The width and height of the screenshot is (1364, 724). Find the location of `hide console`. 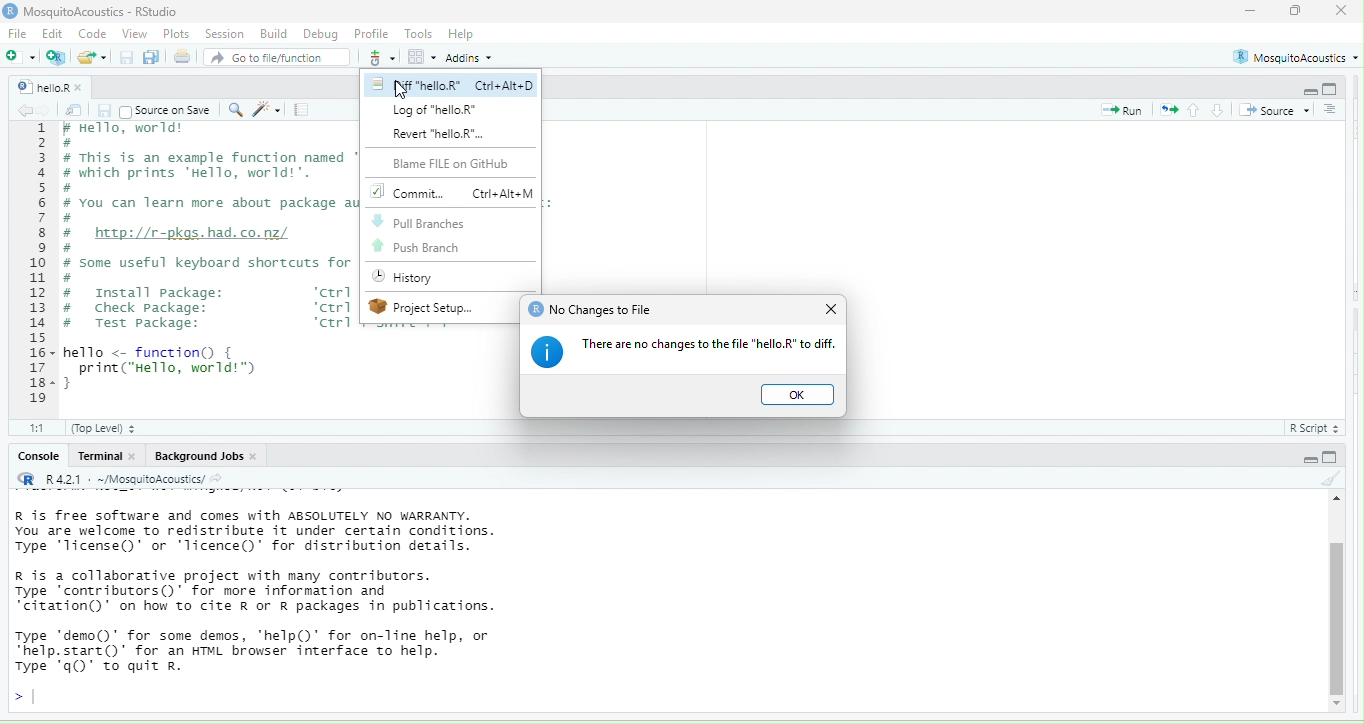

hide console is located at coordinates (1333, 458).